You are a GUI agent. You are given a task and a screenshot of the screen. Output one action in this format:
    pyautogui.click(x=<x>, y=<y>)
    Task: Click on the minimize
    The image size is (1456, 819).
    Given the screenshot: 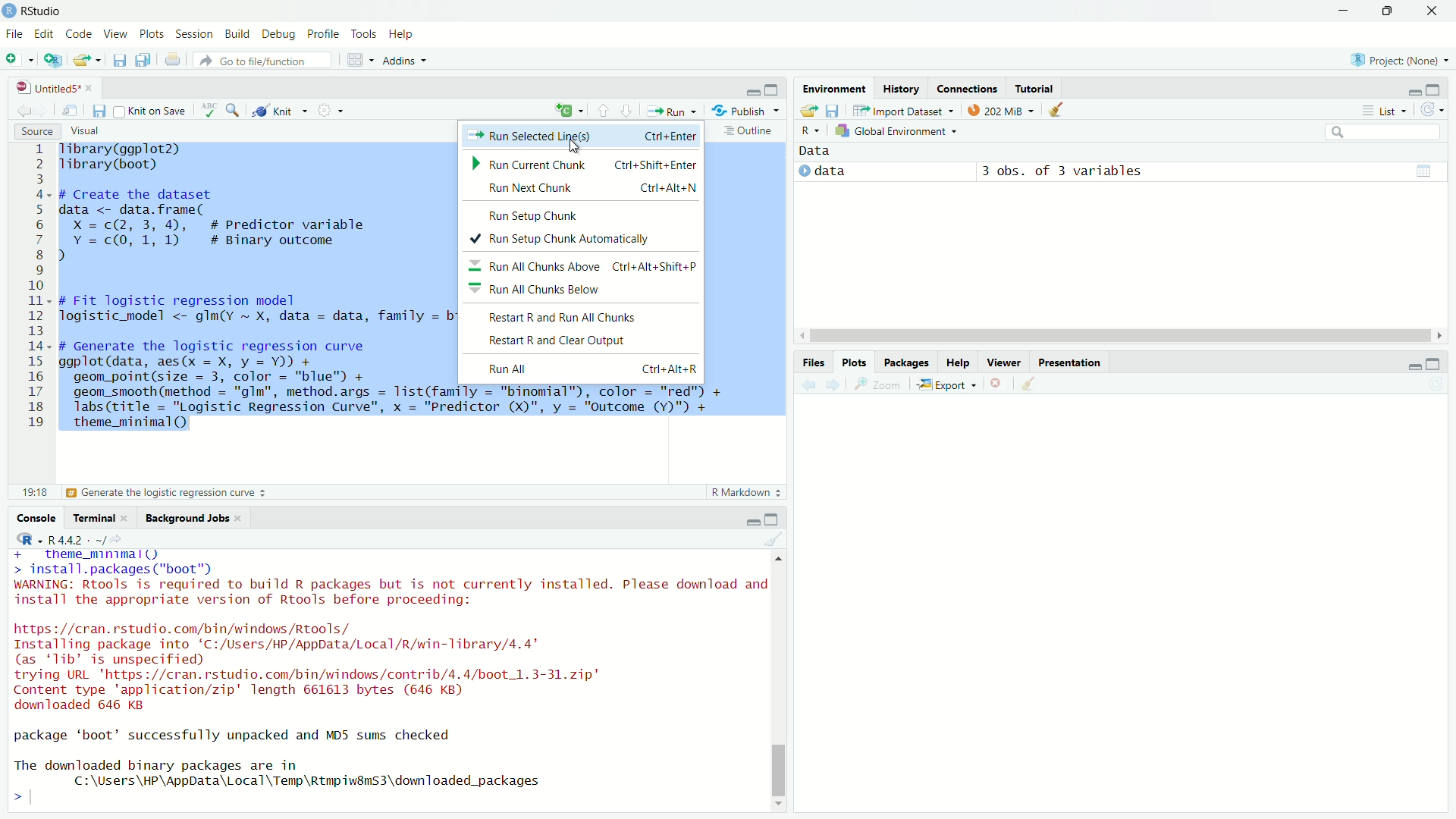 What is the action you would take?
    pyautogui.click(x=1414, y=93)
    